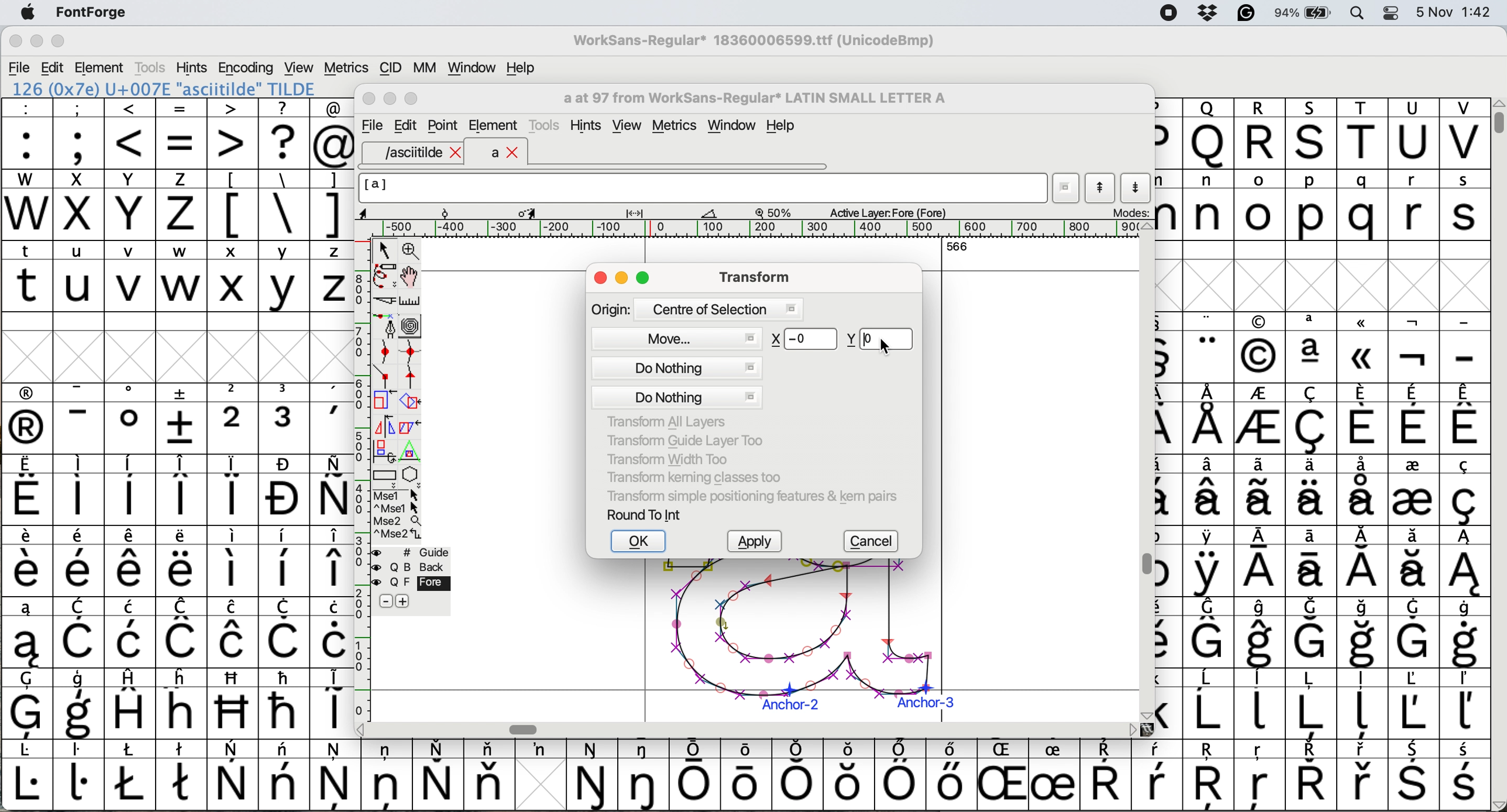 Image resolution: width=1507 pixels, height=812 pixels. What do you see at coordinates (1066, 190) in the screenshot?
I see `current word list` at bounding box center [1066, 190].